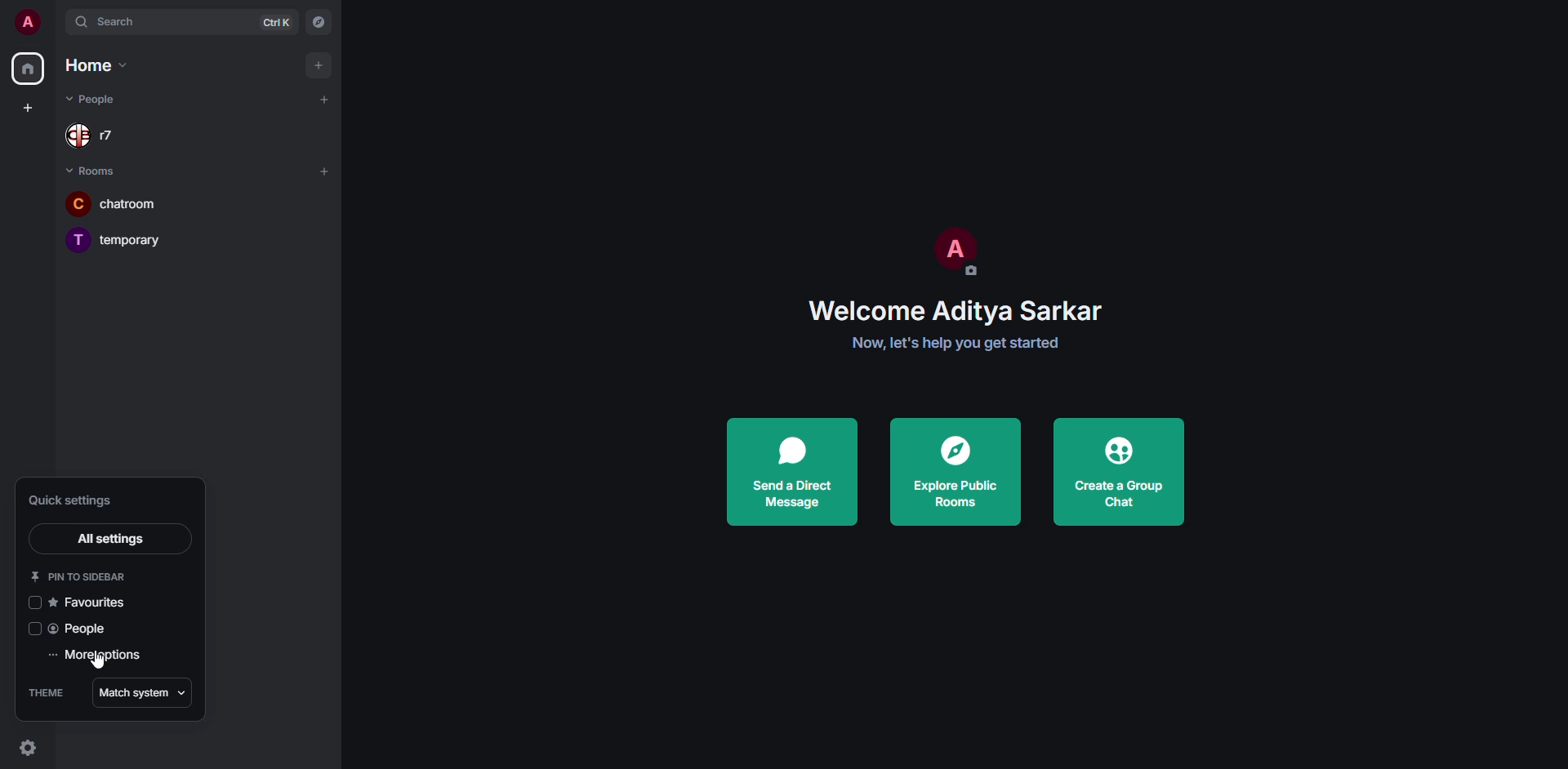  Describe the element at coordinates (323, 171) in the screenshot. I see `add` at that location.